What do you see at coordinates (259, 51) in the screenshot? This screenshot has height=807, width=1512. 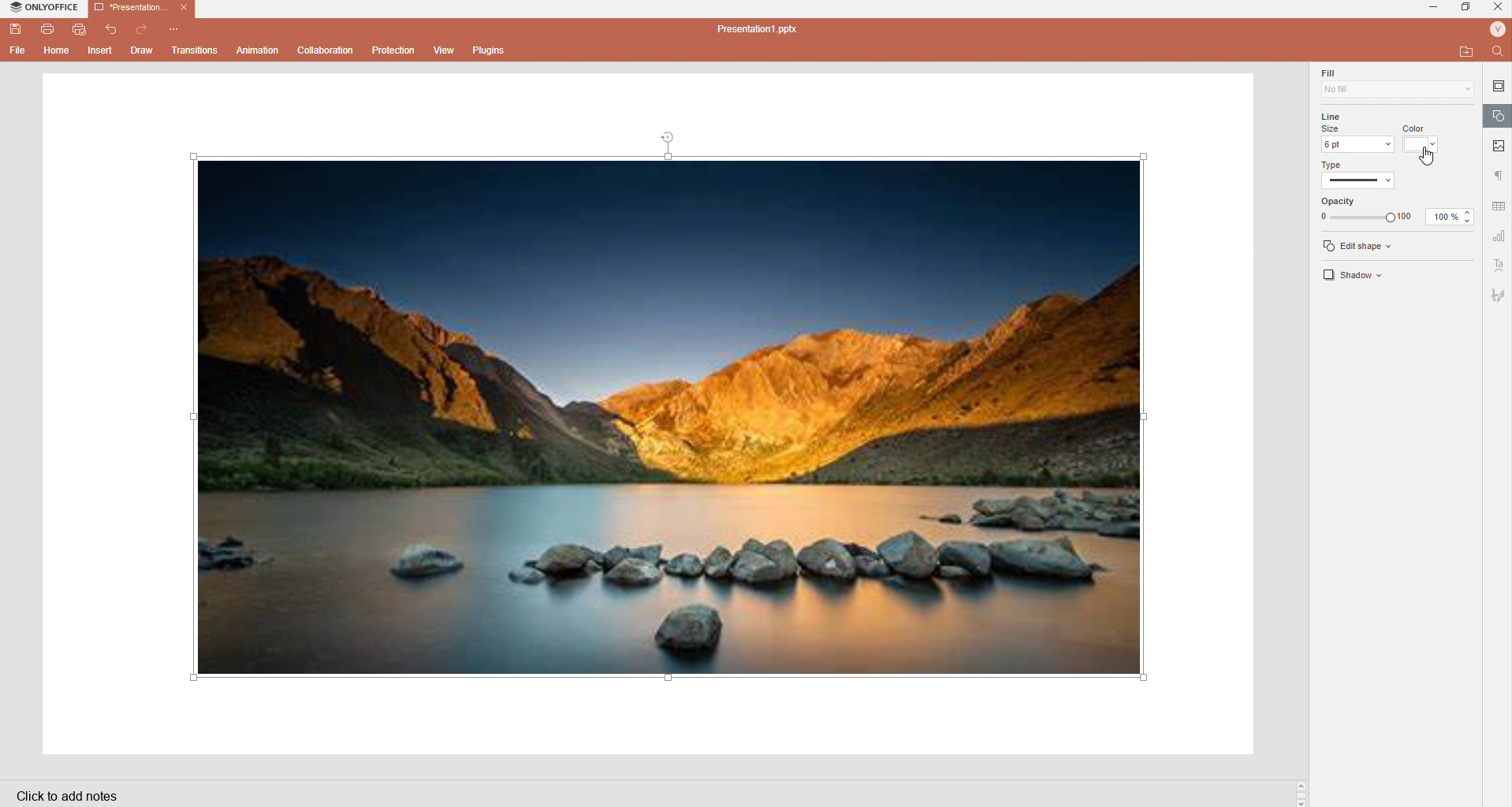 I see `Animation` at bounding box center [259, 51].